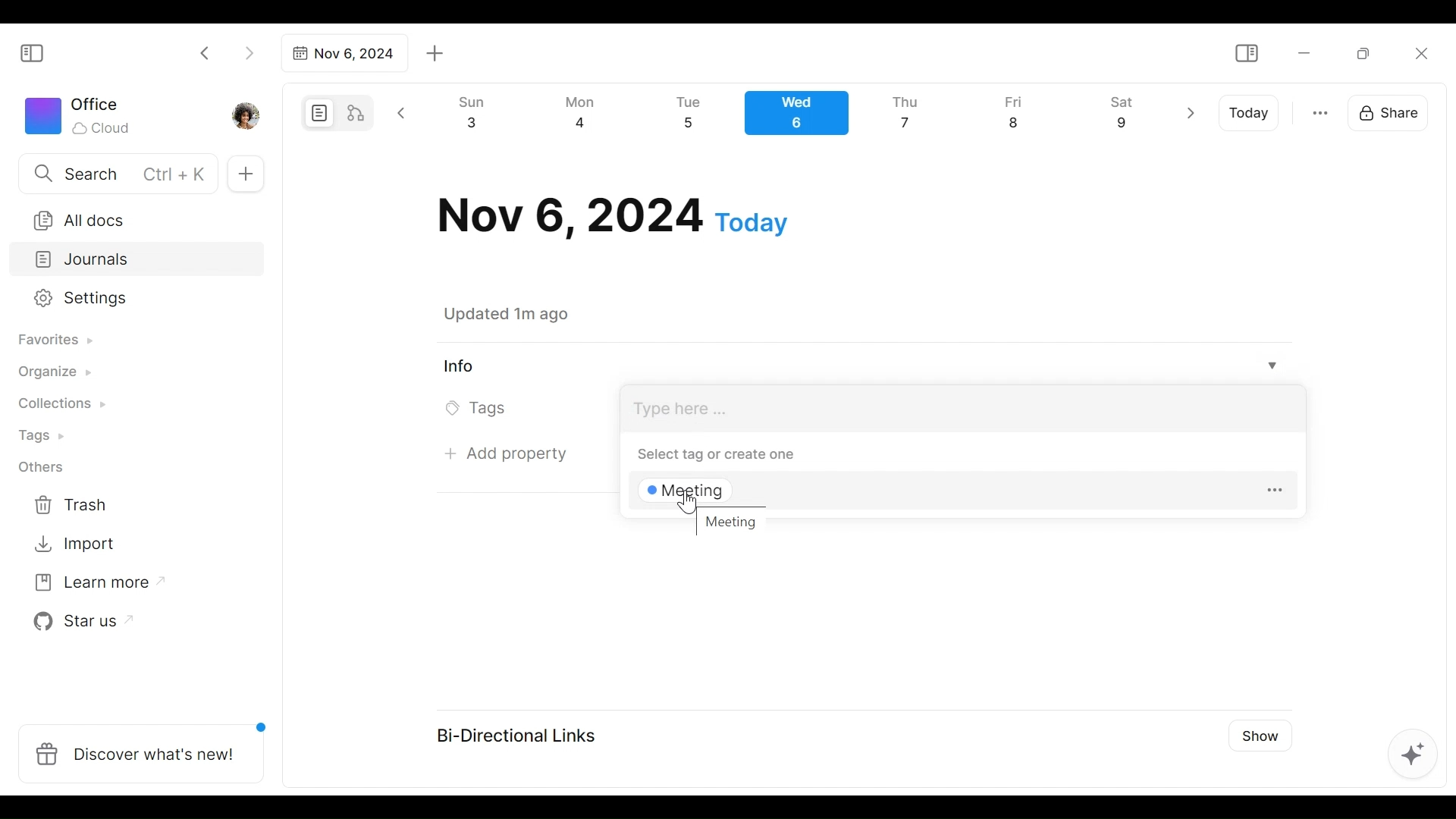 This screenshot has width=1456, height=819. What do you see at coordinates (513, 453) in the screenshot?
I see `Add property` at bounding box center [513, 453].